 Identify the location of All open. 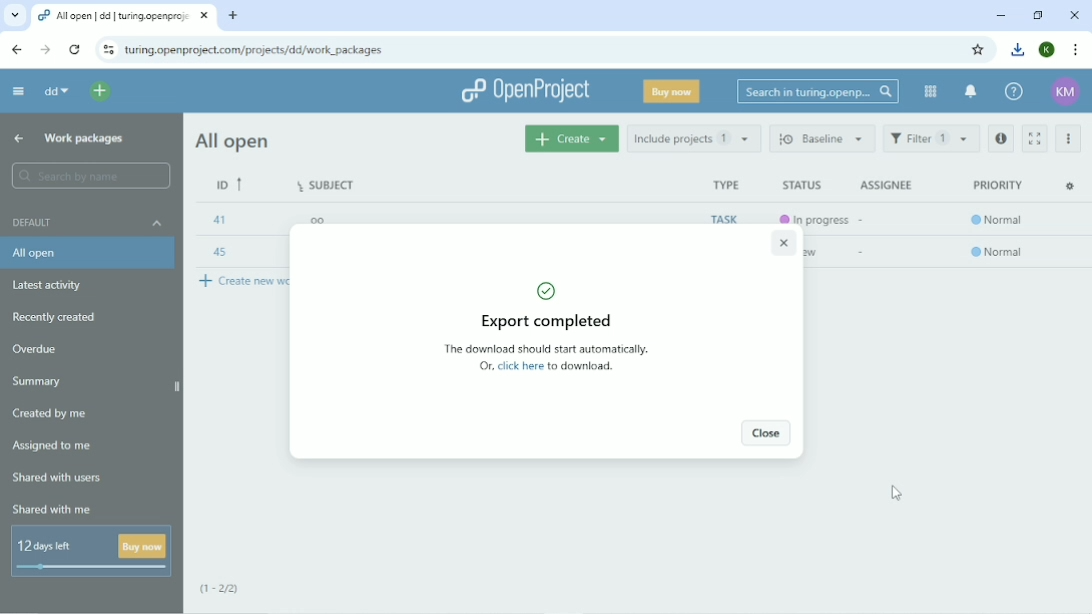
(88, 253).